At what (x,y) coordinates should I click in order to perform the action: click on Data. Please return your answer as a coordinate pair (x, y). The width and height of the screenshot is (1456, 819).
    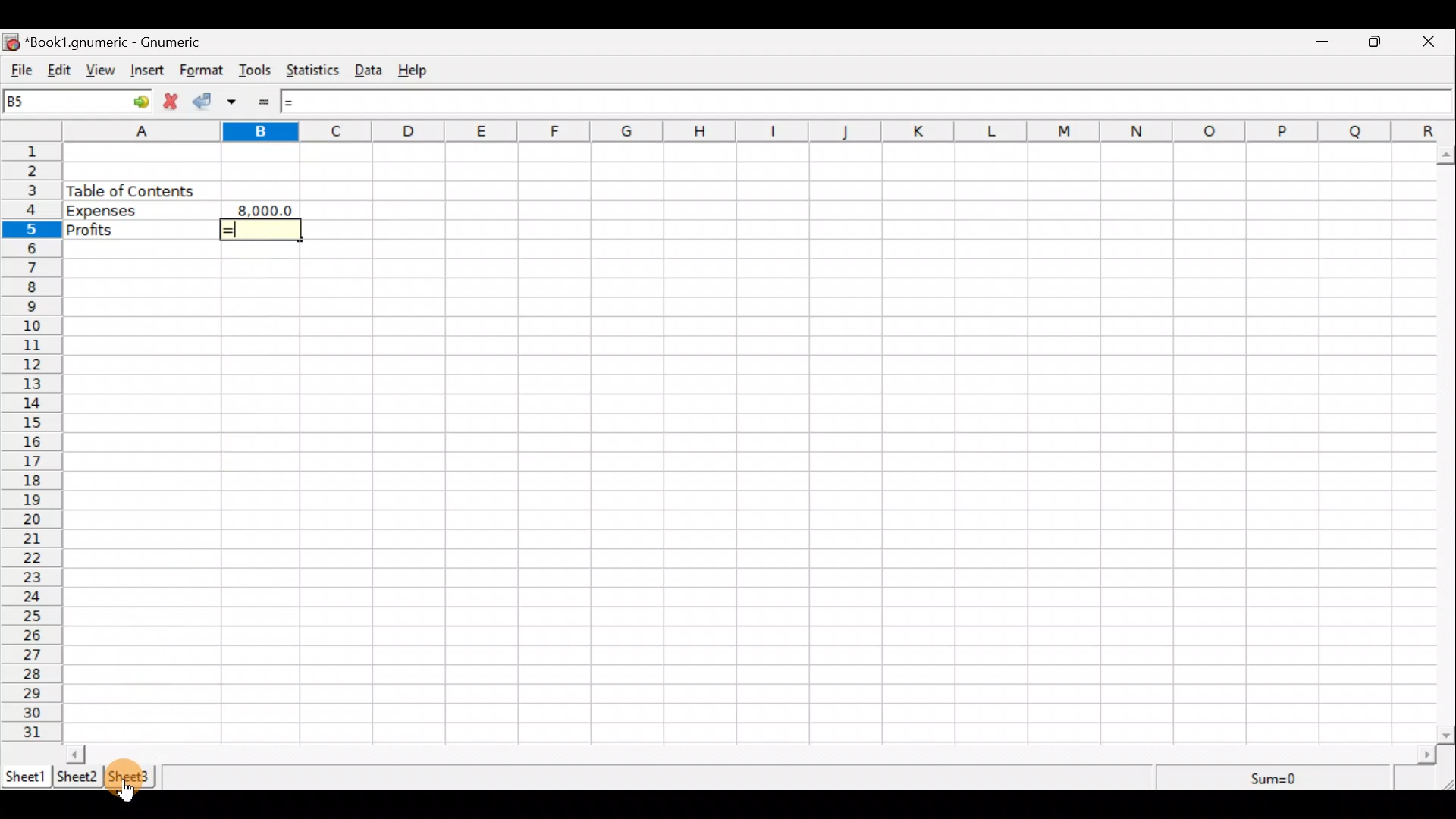
    Looking at the image, I should click on (372, 68).